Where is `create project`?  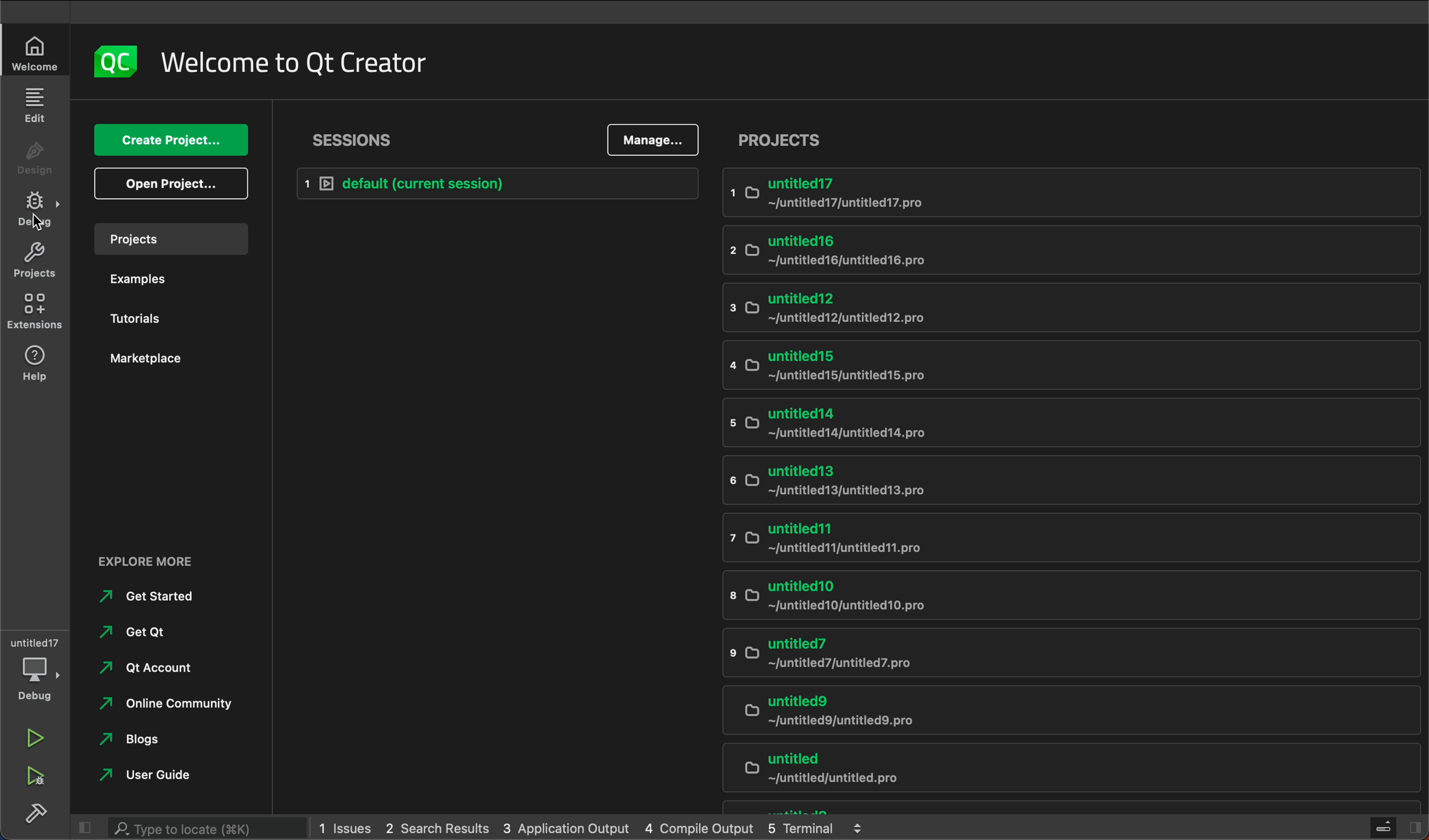 create project is located at coordinates (172, 139).